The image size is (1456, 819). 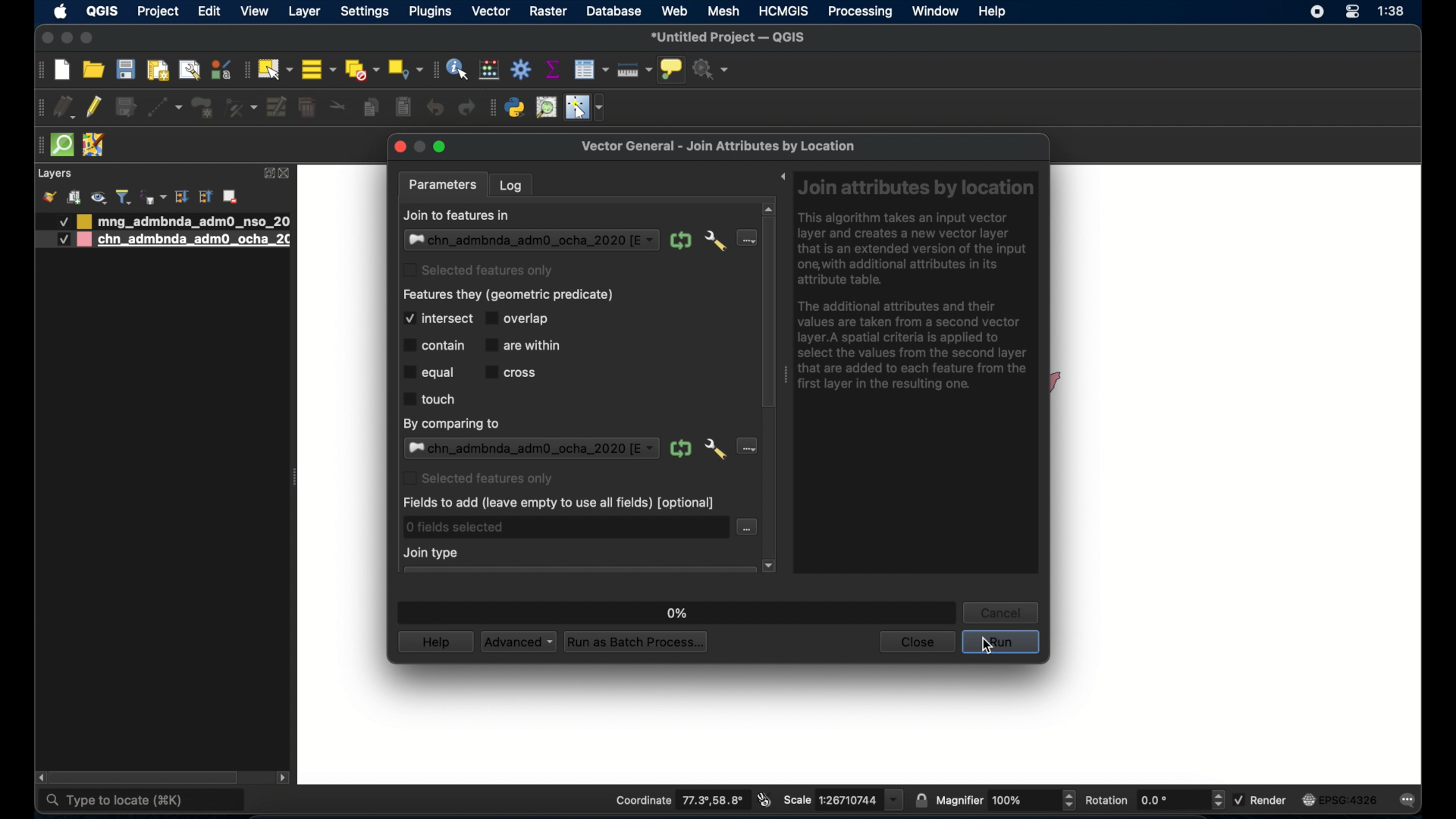 I want to click on scroll up arrow, so click(x=770, y=207).